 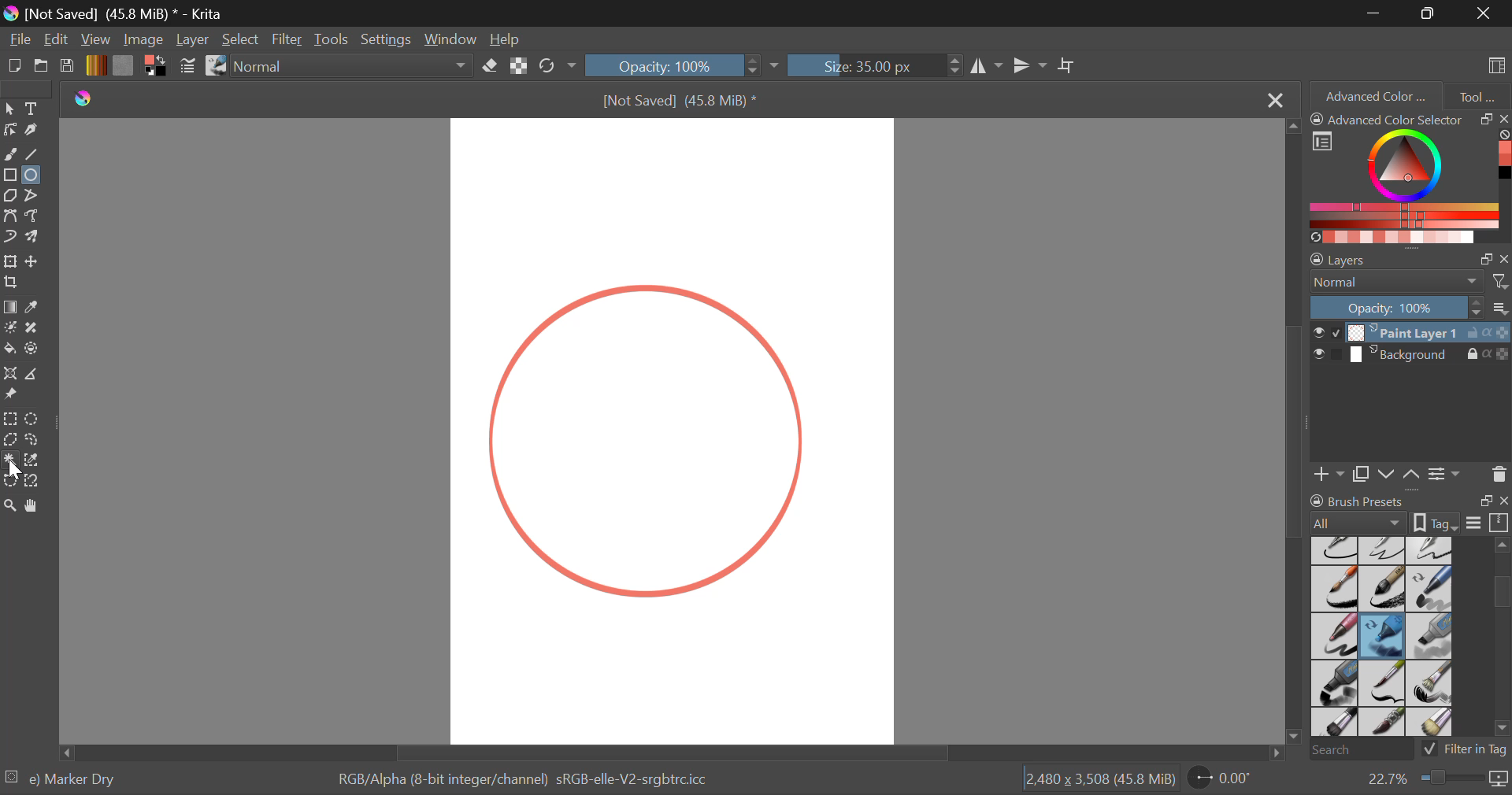 What do you see at coordinates (356, 67) in the screenshot?
I see `Blending Mode` at bounding box center [356, 67].